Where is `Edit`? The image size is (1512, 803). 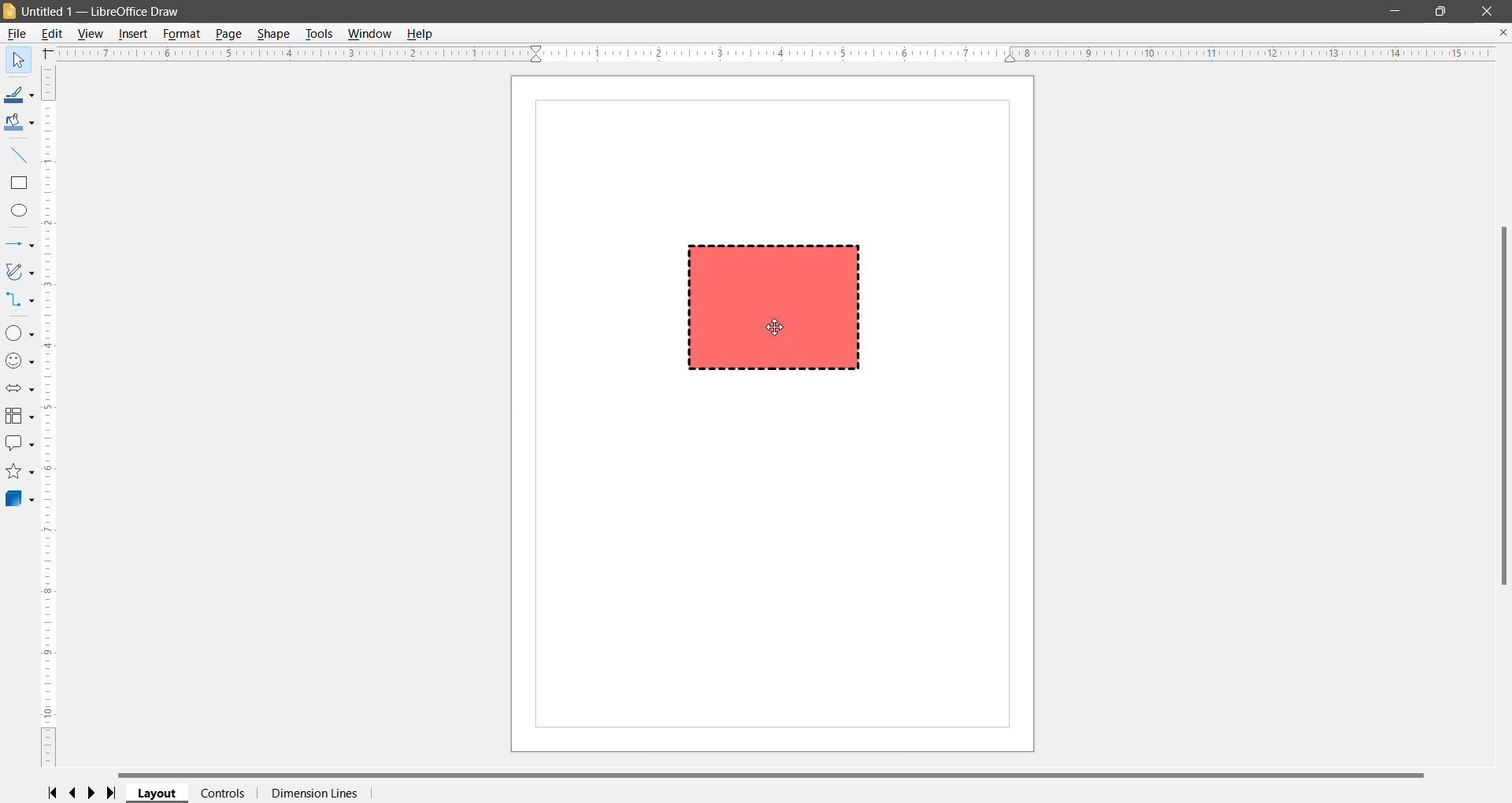
Edit is located at coordinates (53, 35).